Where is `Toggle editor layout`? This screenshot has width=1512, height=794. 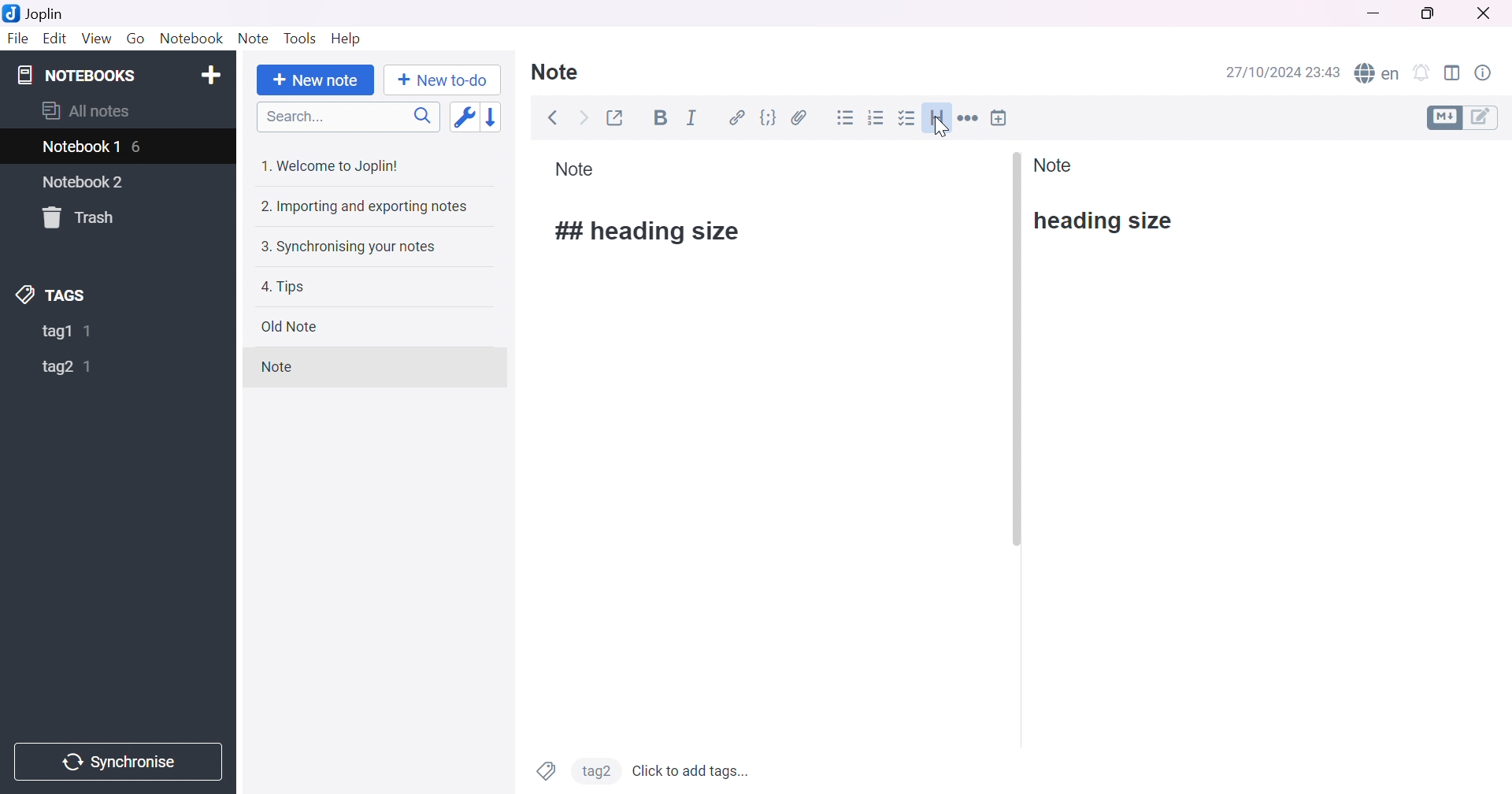
Toggle editor layout is located at coordinates (1454, 72).